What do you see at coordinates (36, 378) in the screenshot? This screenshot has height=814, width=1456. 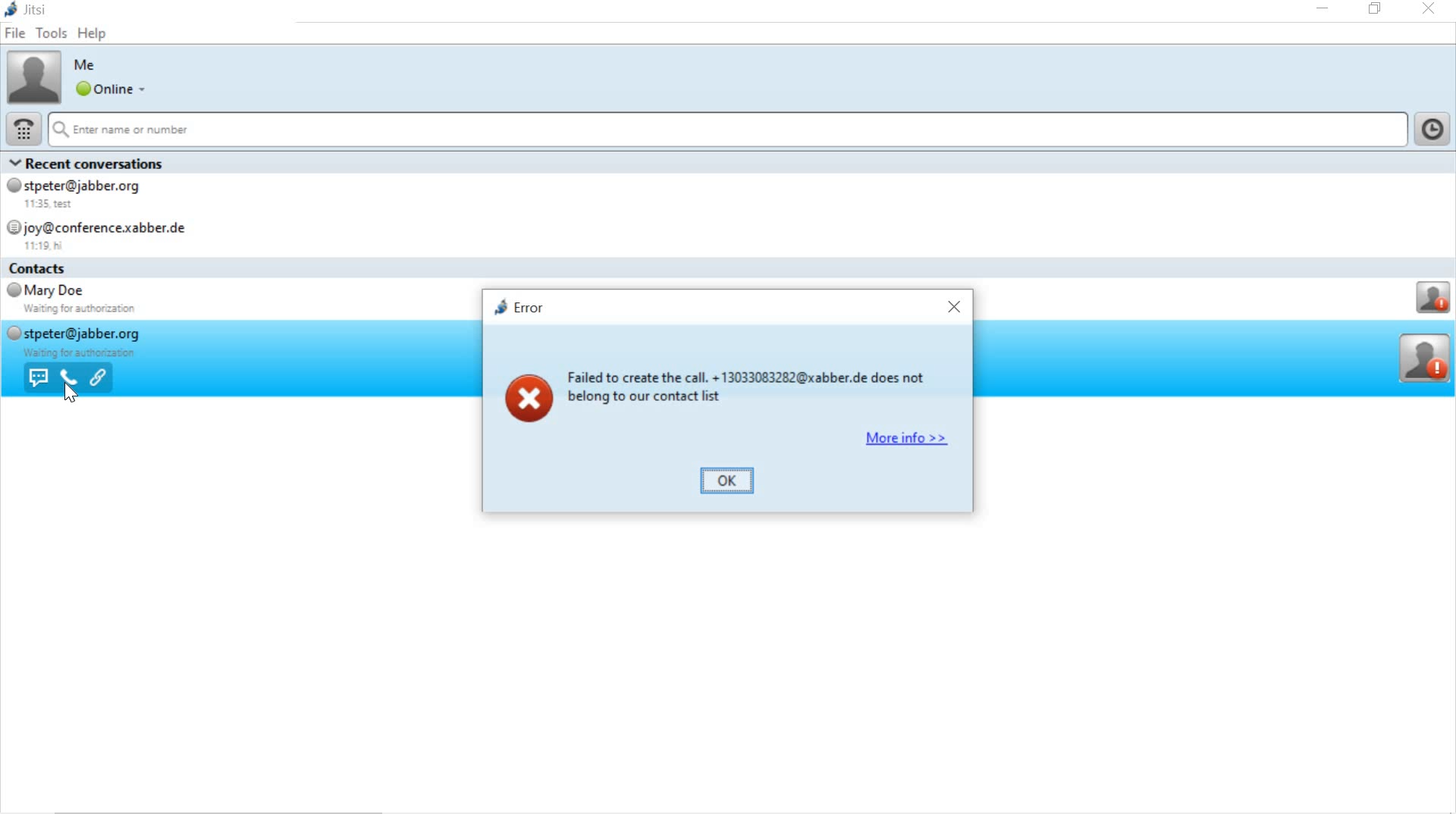 I see `send message` at bounding box center [36, 378].